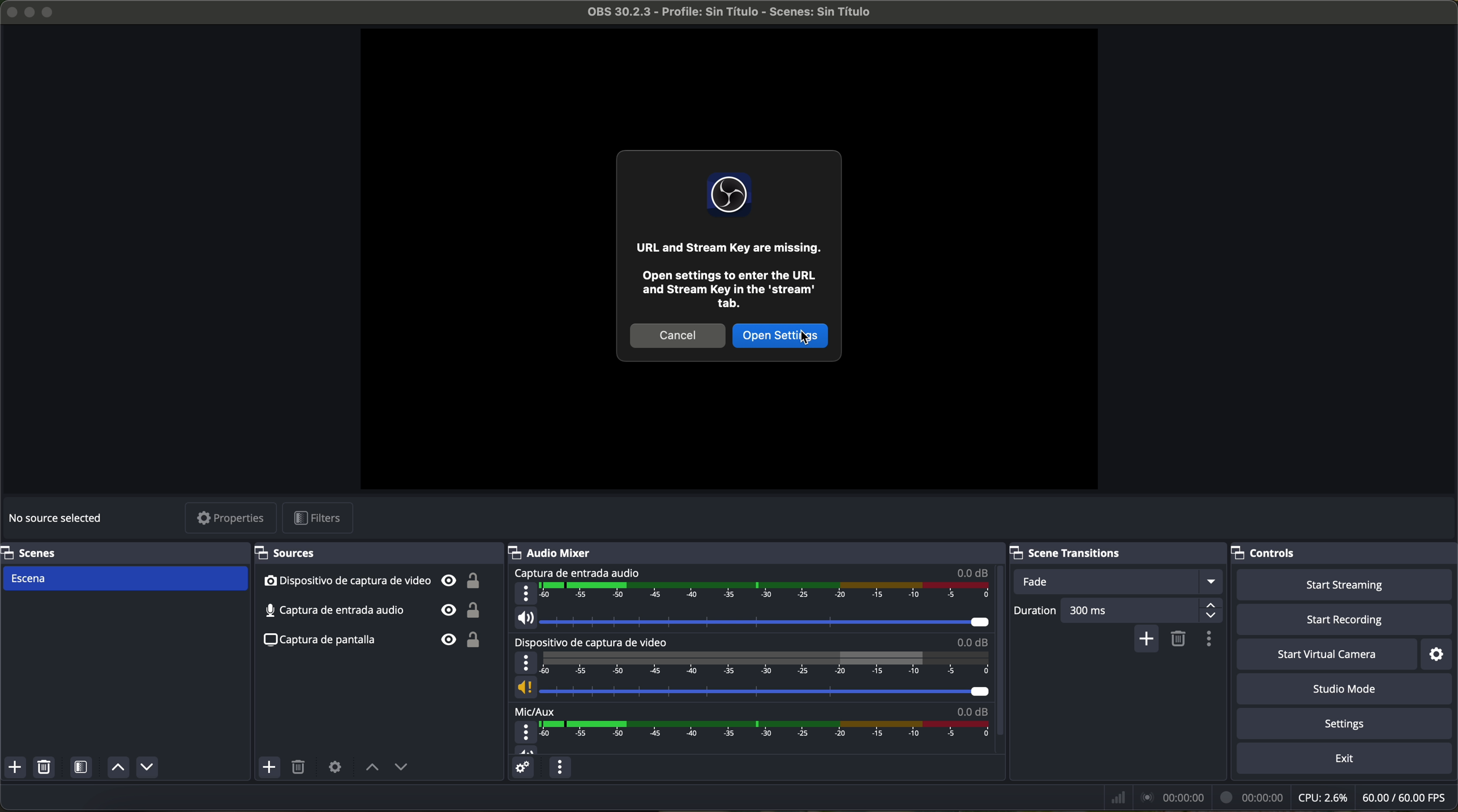 The height and width of the screenshot is (812, 1458). Describe the element at coordinates (372, 581) in the screenshot. I see `video capture device` at that location.